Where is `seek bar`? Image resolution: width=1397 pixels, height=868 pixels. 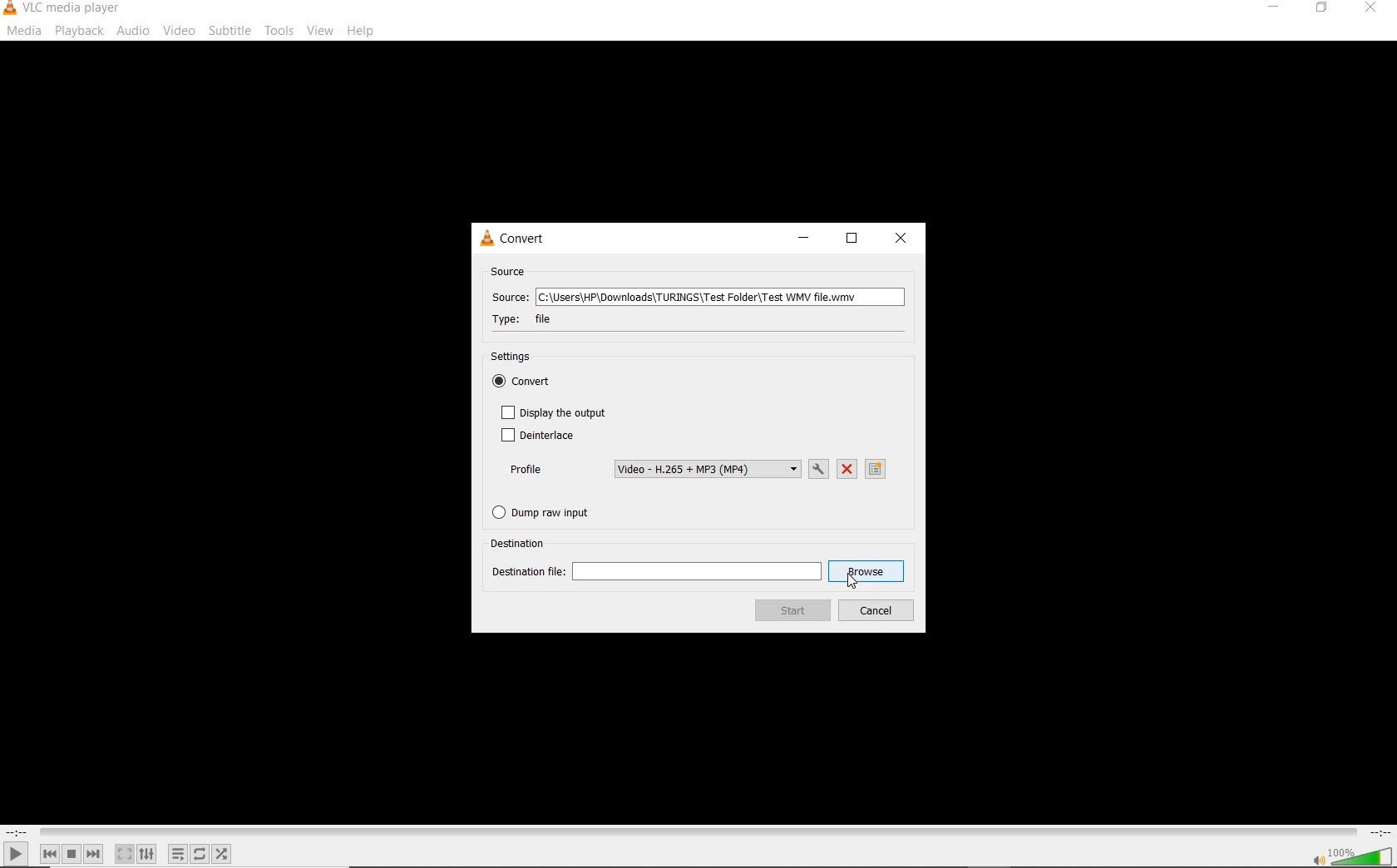 seek bar is located at coordinates (696, 832).